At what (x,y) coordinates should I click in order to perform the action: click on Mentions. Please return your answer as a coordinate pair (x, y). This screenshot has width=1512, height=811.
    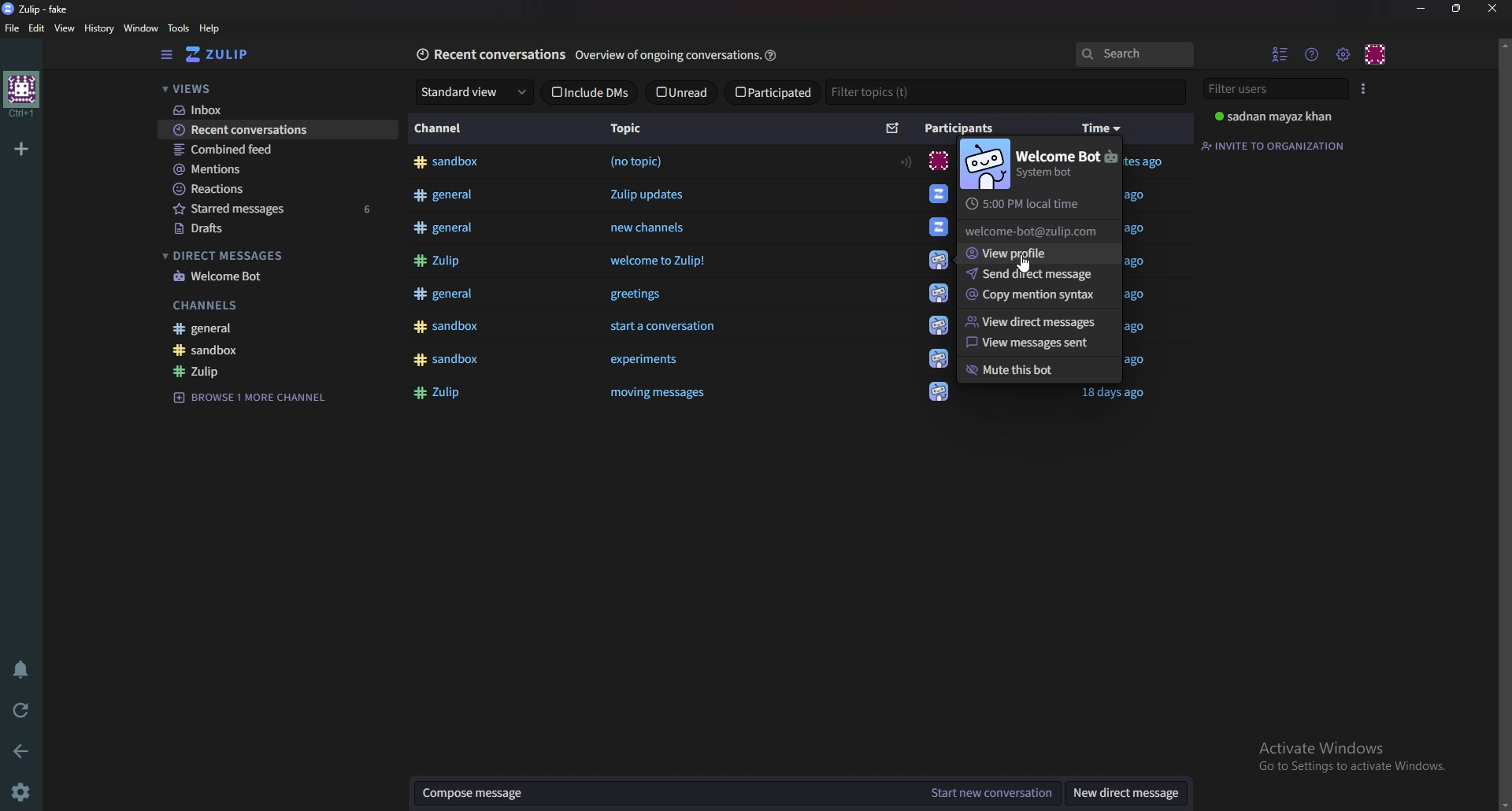
    Looking at the image, I should click on (272, 169).